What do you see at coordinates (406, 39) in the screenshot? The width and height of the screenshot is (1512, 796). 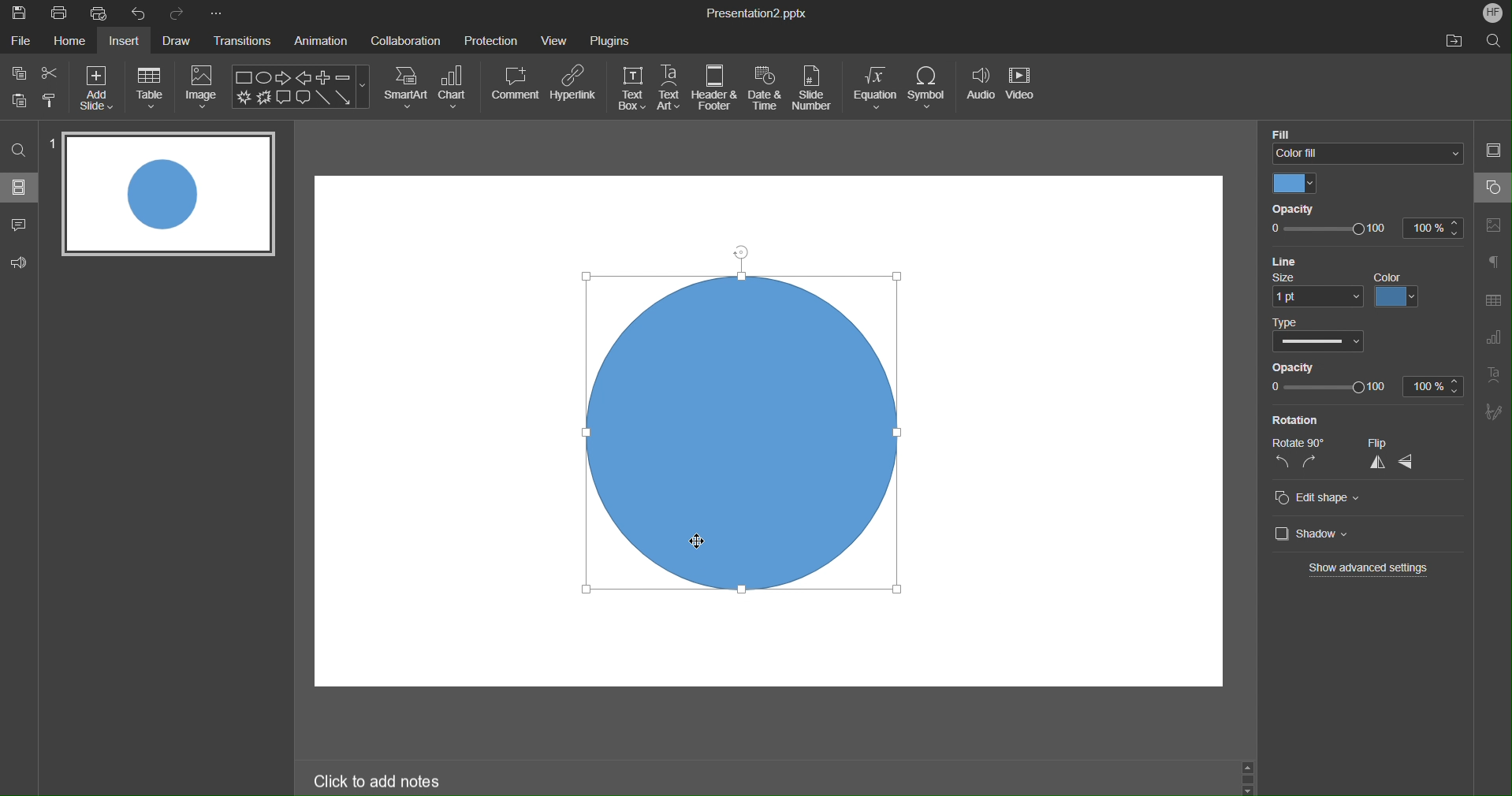 I see `Collaboration` at bounding box center [406, 39].